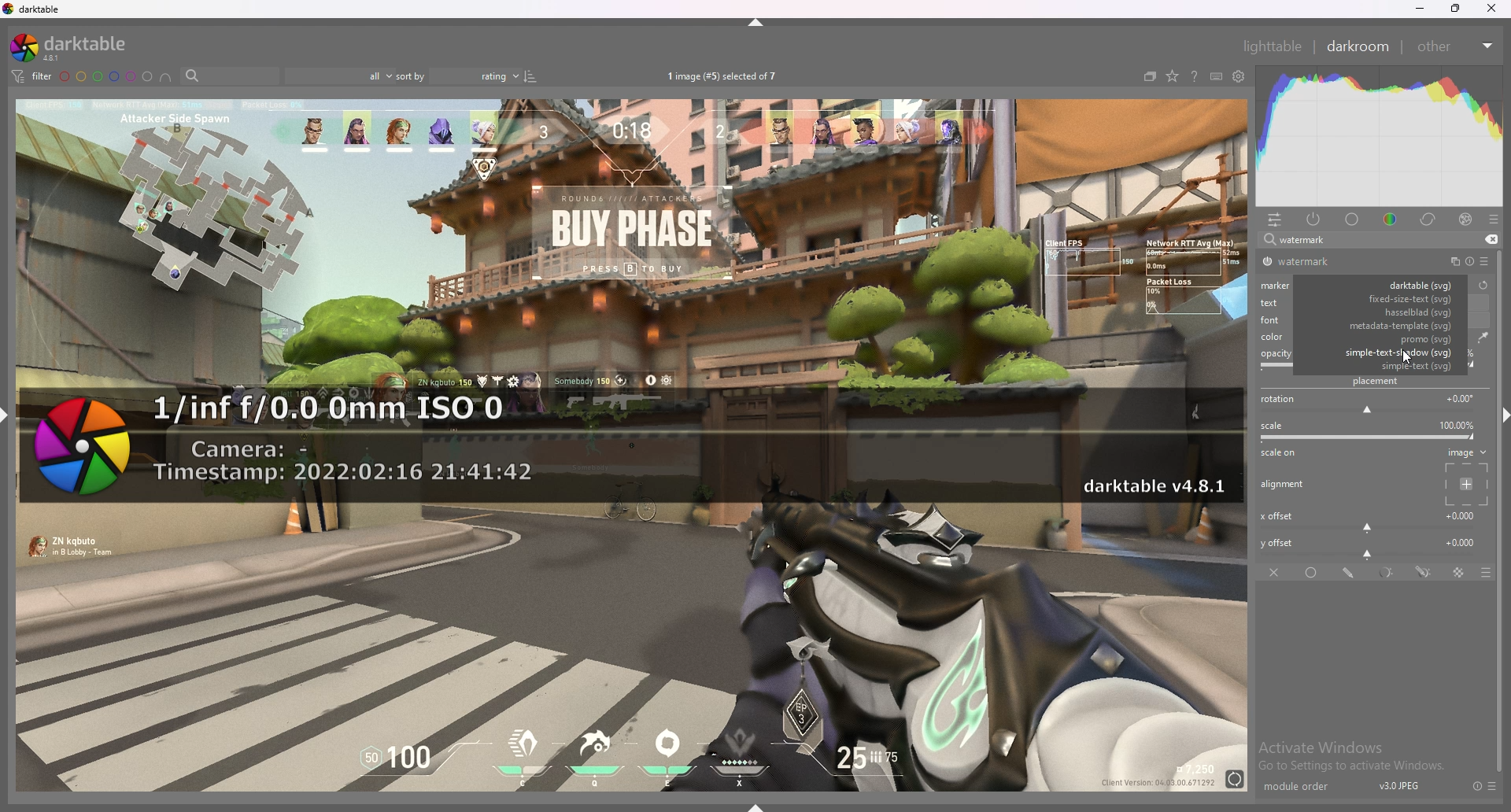  I want to click on scale, so click(1371, 431).